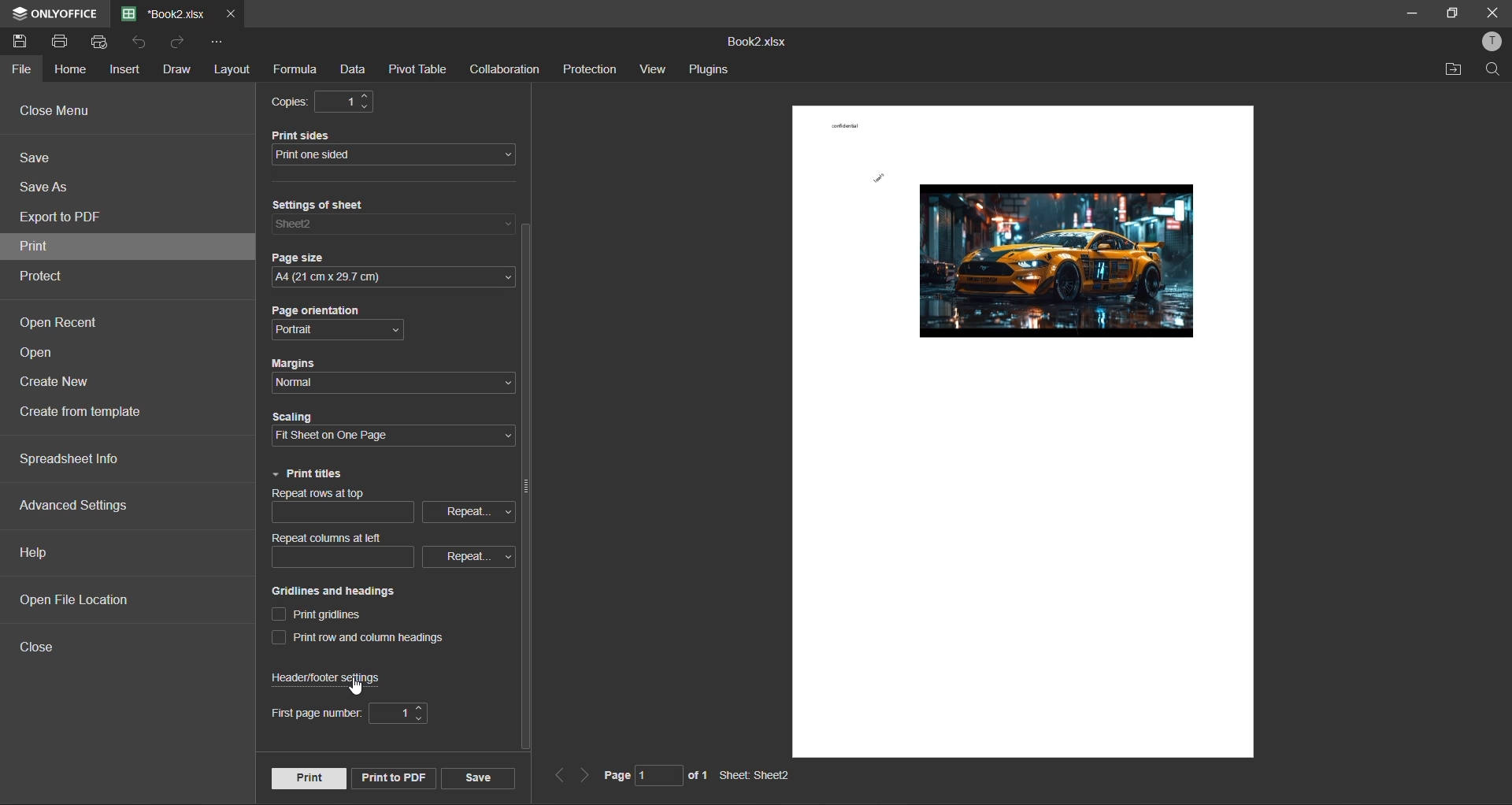  What do you see at coordinates (80, 507) in the screenshot?
I see `advanced settings` at bounding box center [80, 507].